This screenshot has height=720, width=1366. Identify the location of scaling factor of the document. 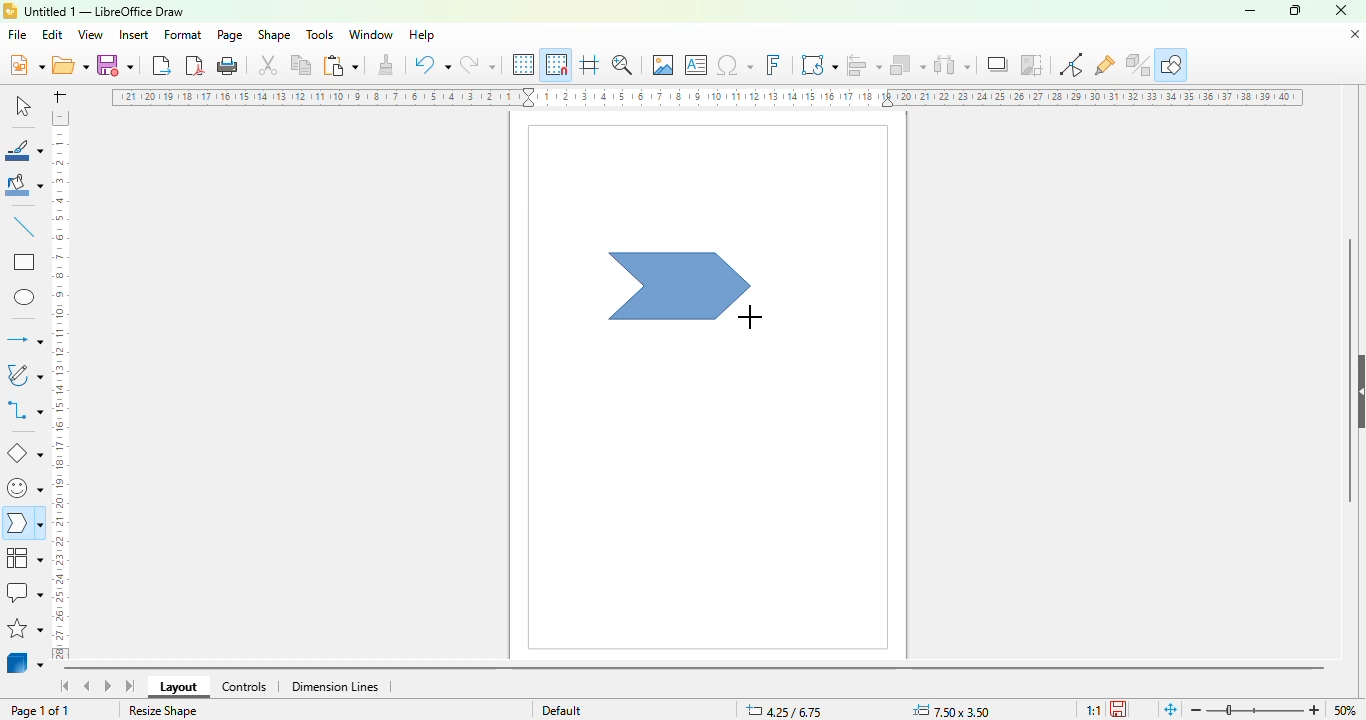
(1093, 710).